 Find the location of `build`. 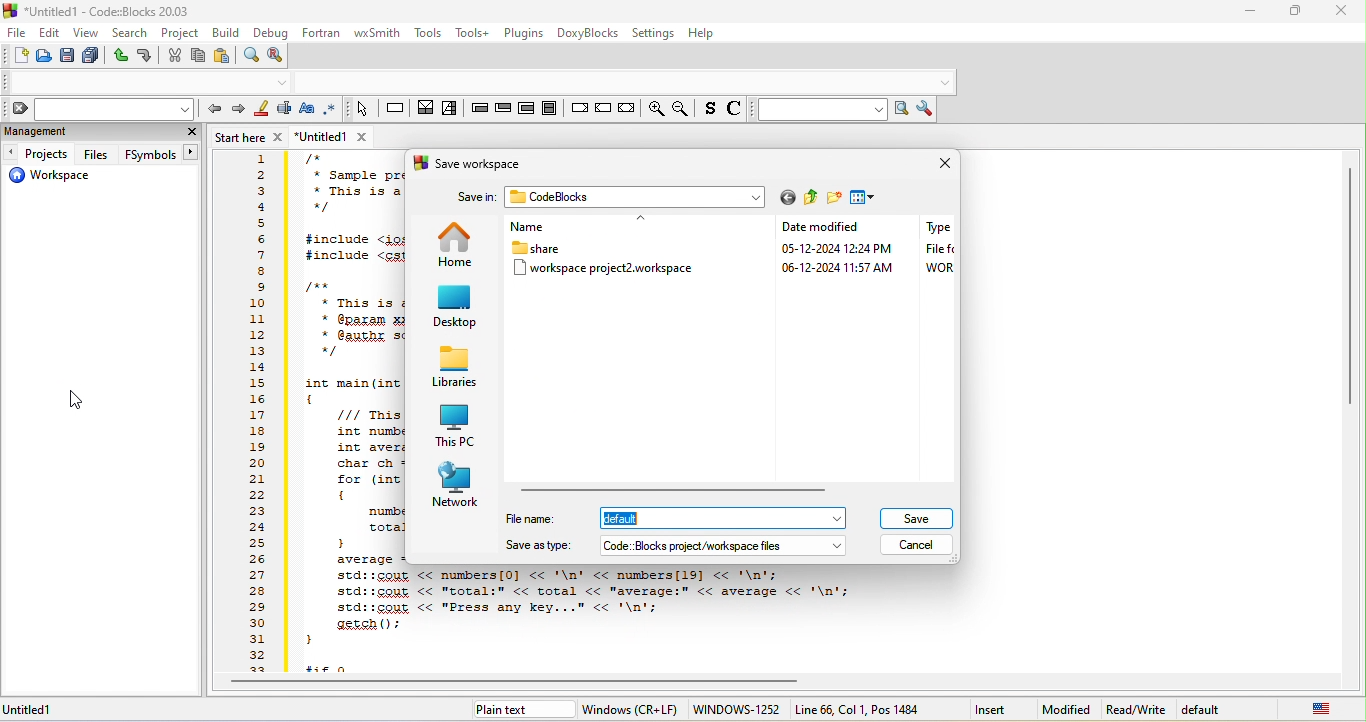

build is located at coordinates (228, 33).